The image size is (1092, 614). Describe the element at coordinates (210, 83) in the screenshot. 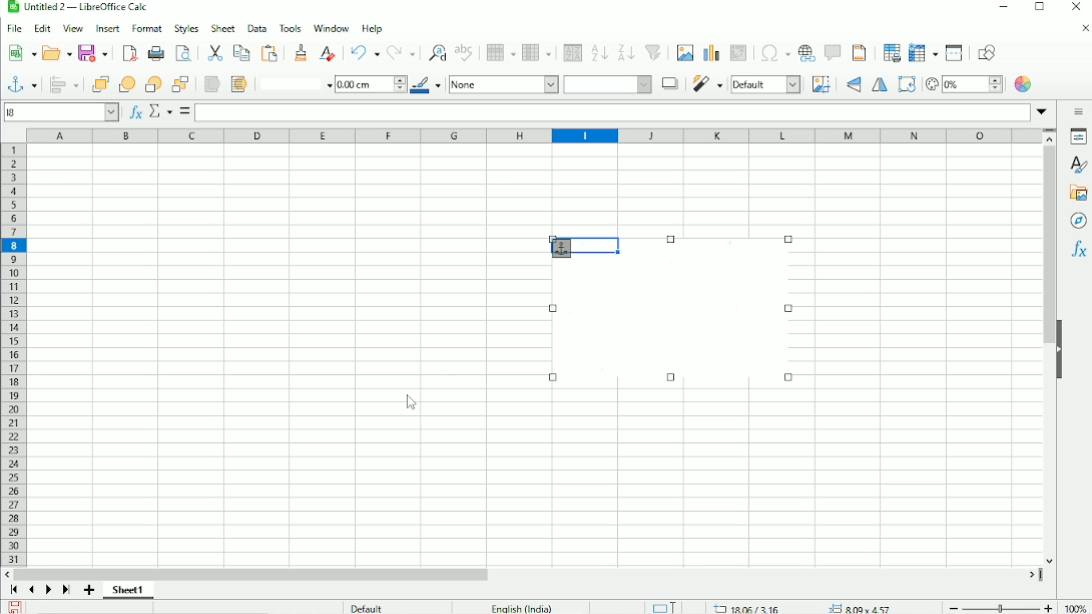

I see `to foreground` at that location.